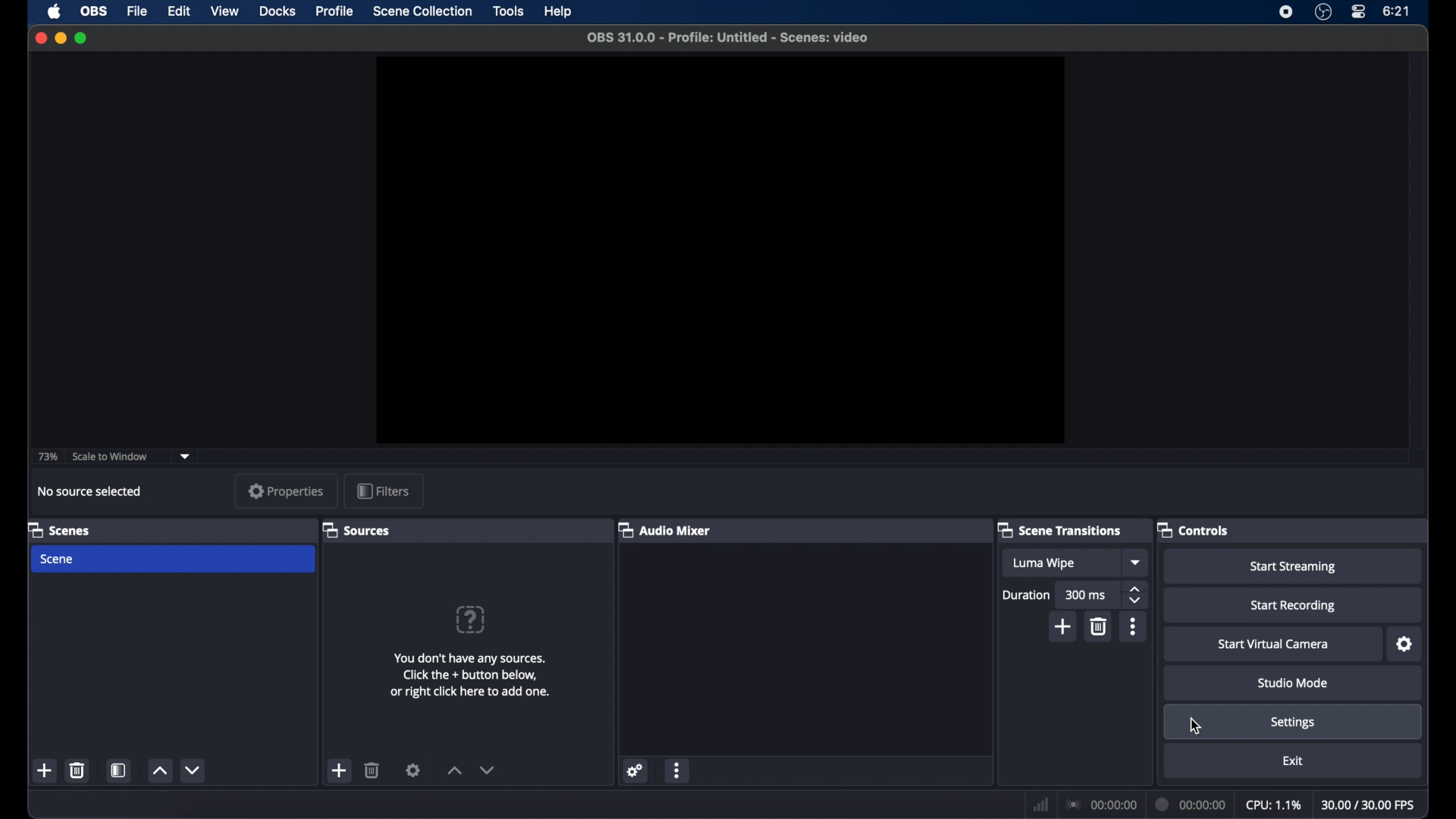  Describe the element at coordinates (479, 674) in the screenshot. I see `You don't have any sources.
Click the + button below,
or right click here to add one.` at that location.